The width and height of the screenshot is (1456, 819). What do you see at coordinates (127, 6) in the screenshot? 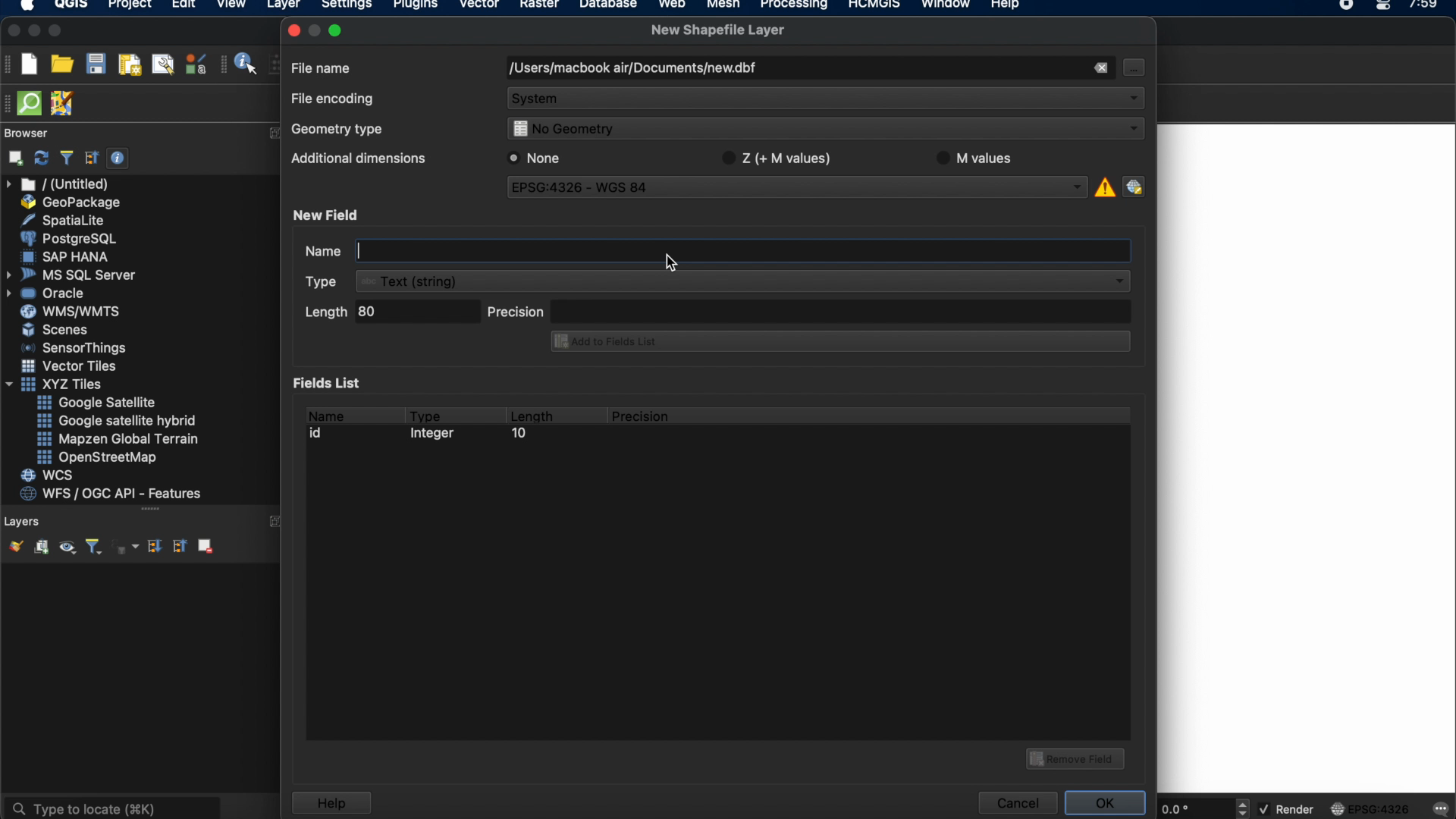
I see `project` at bounding box center [127, 6].